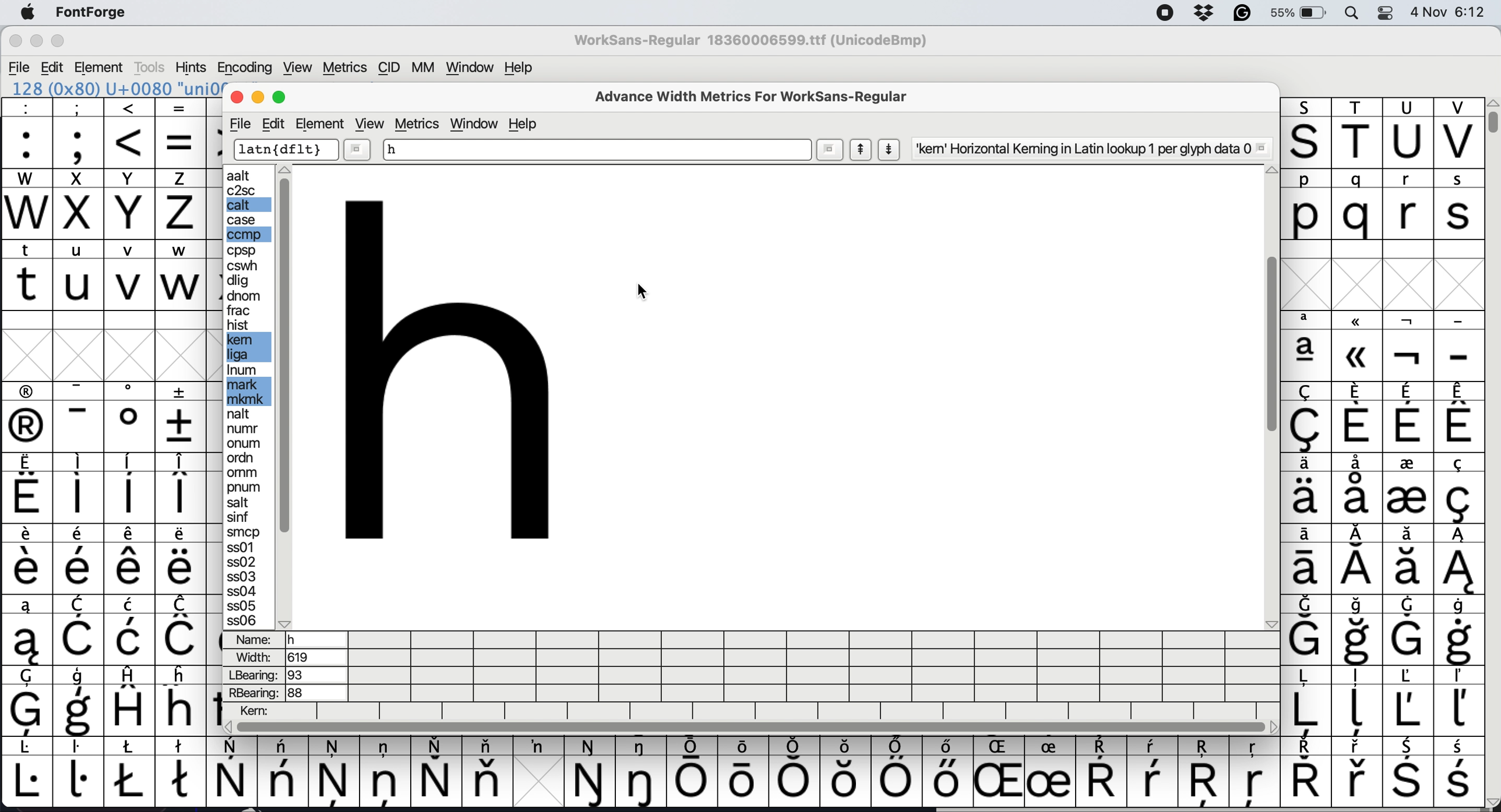 This screenshot has height=812, width=1501. What do you see at coordinates (1379, 319) in the screenshot?
I see `special characters` at bounding box center [1379, 319].